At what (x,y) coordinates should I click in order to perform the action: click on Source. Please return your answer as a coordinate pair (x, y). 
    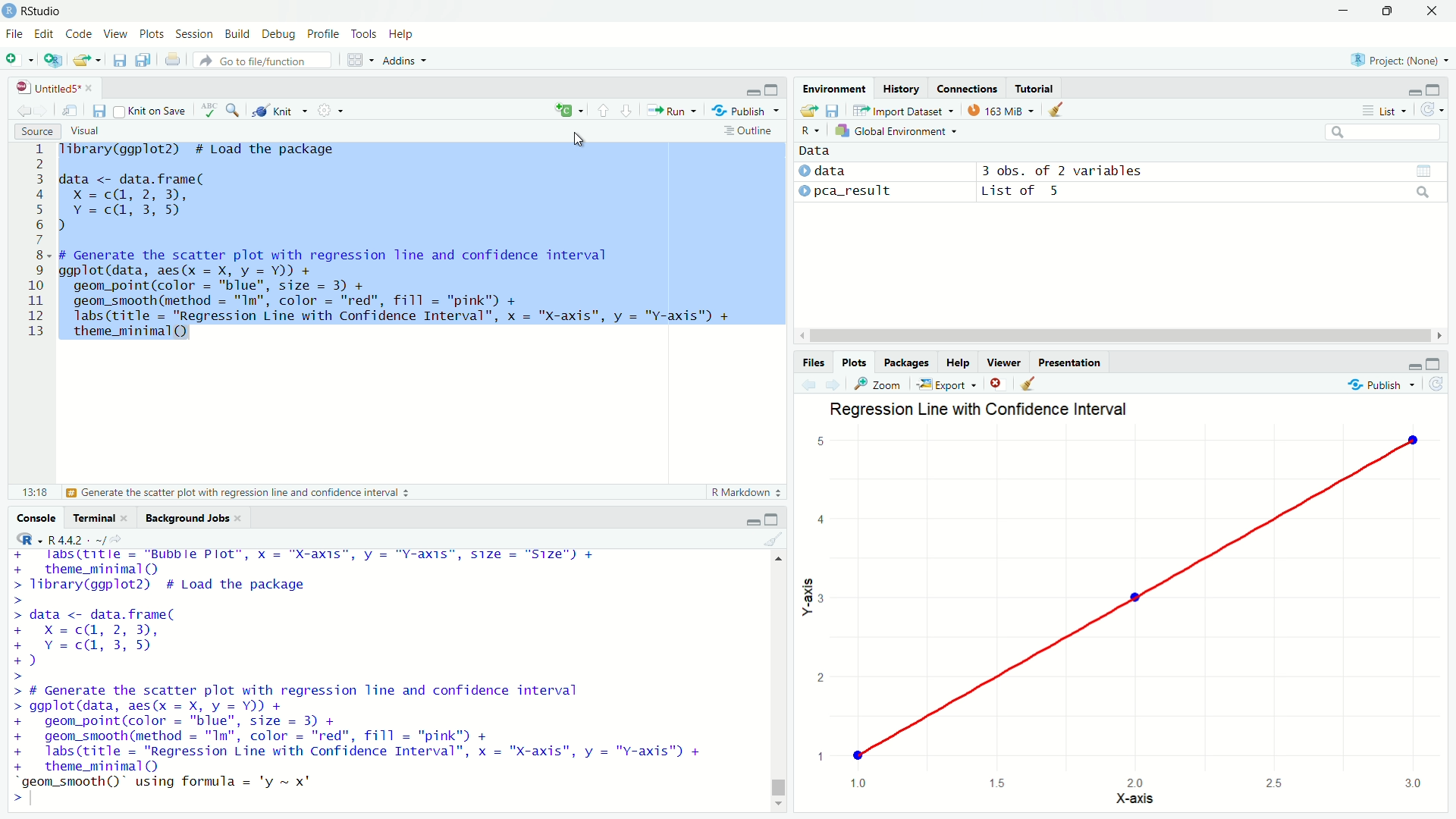
    Looking at the image, I should click on (36, 131).